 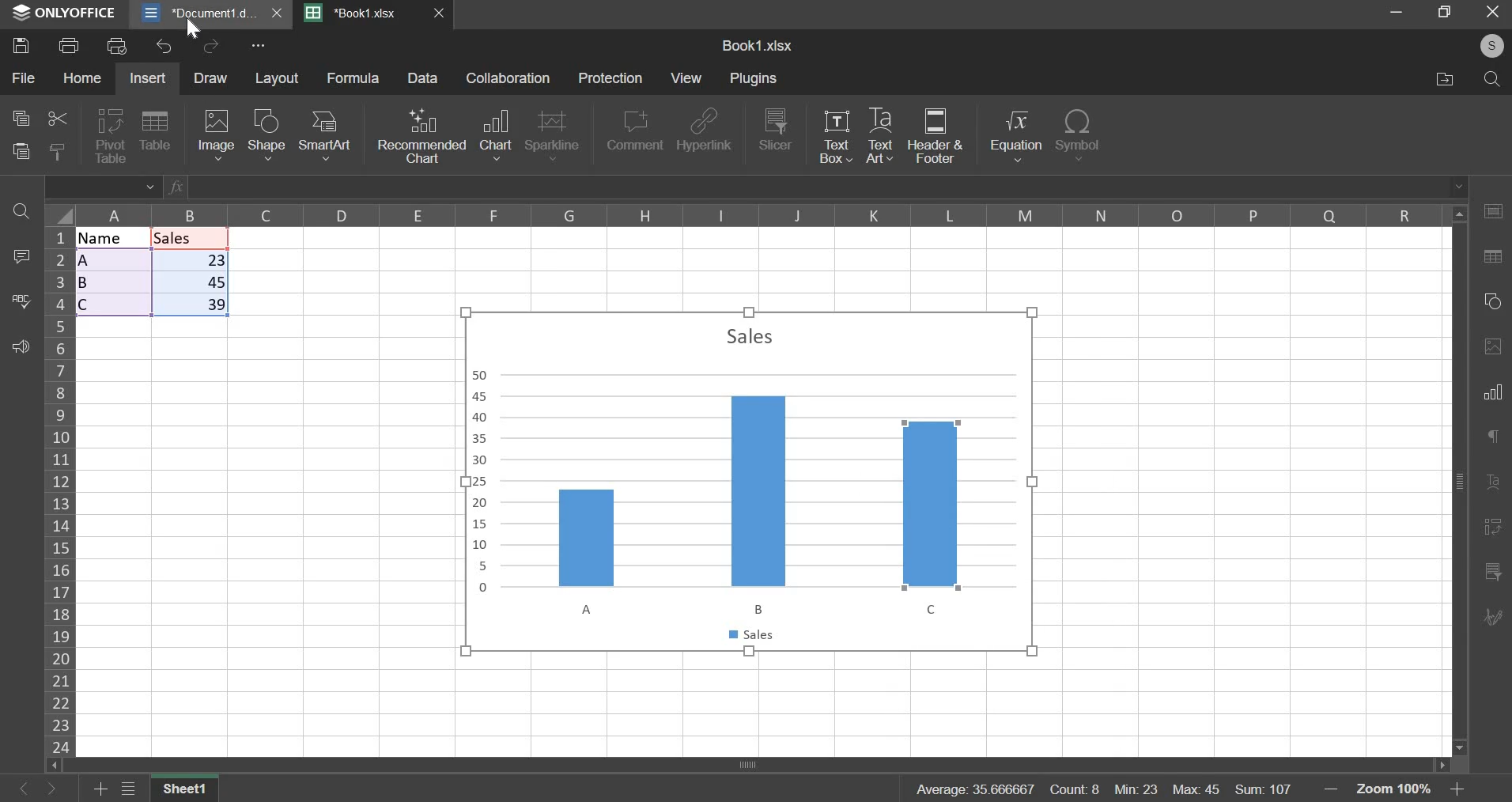 What do you see at coordinates (1492, 84) in the screenshot?
I see `search` at bounding box center [1492, 84].